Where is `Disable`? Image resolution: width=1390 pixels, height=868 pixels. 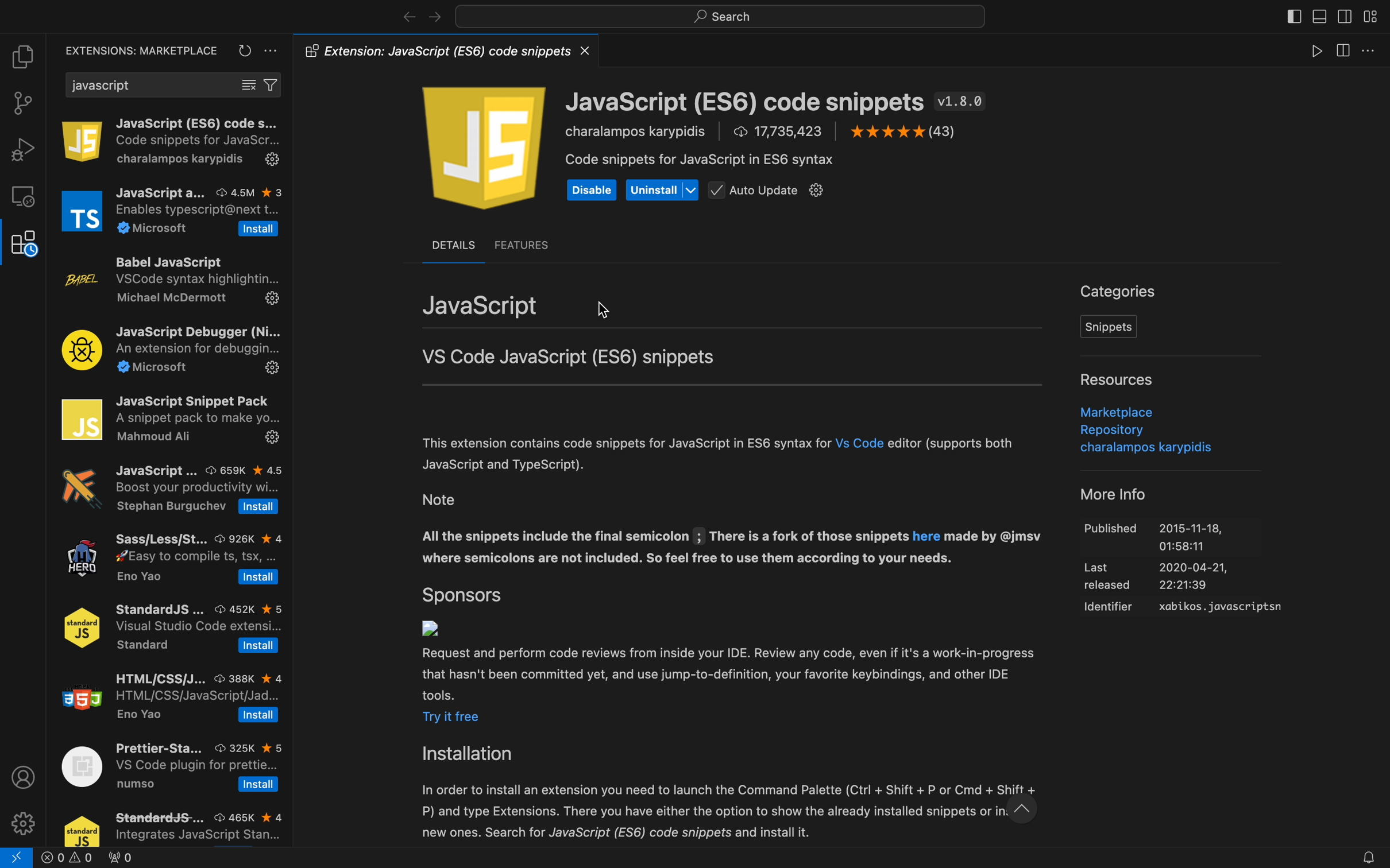 Disable is located at coordinates (588, 191).